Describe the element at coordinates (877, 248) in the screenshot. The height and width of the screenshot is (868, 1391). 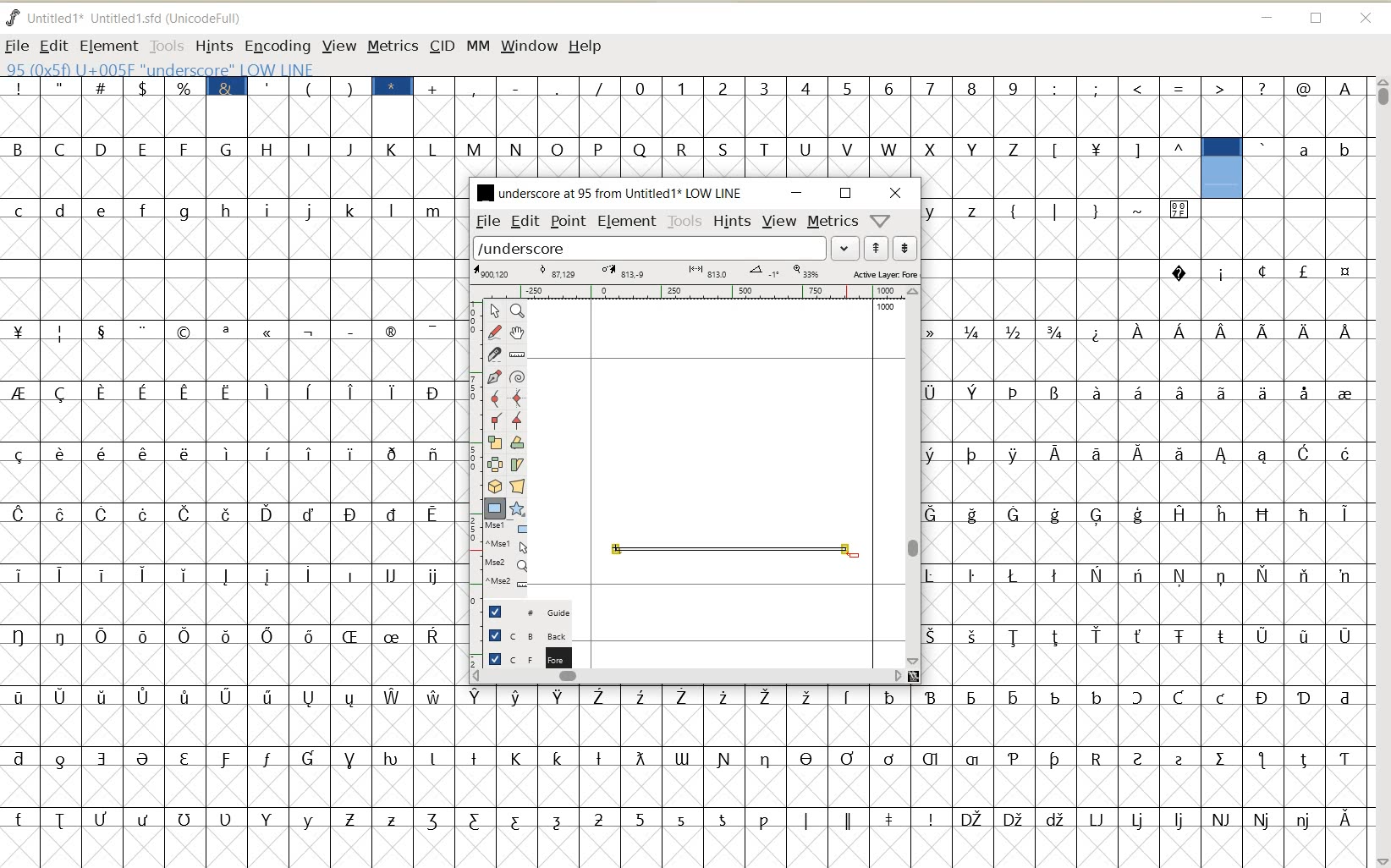
I see `show previous word list` at that location.